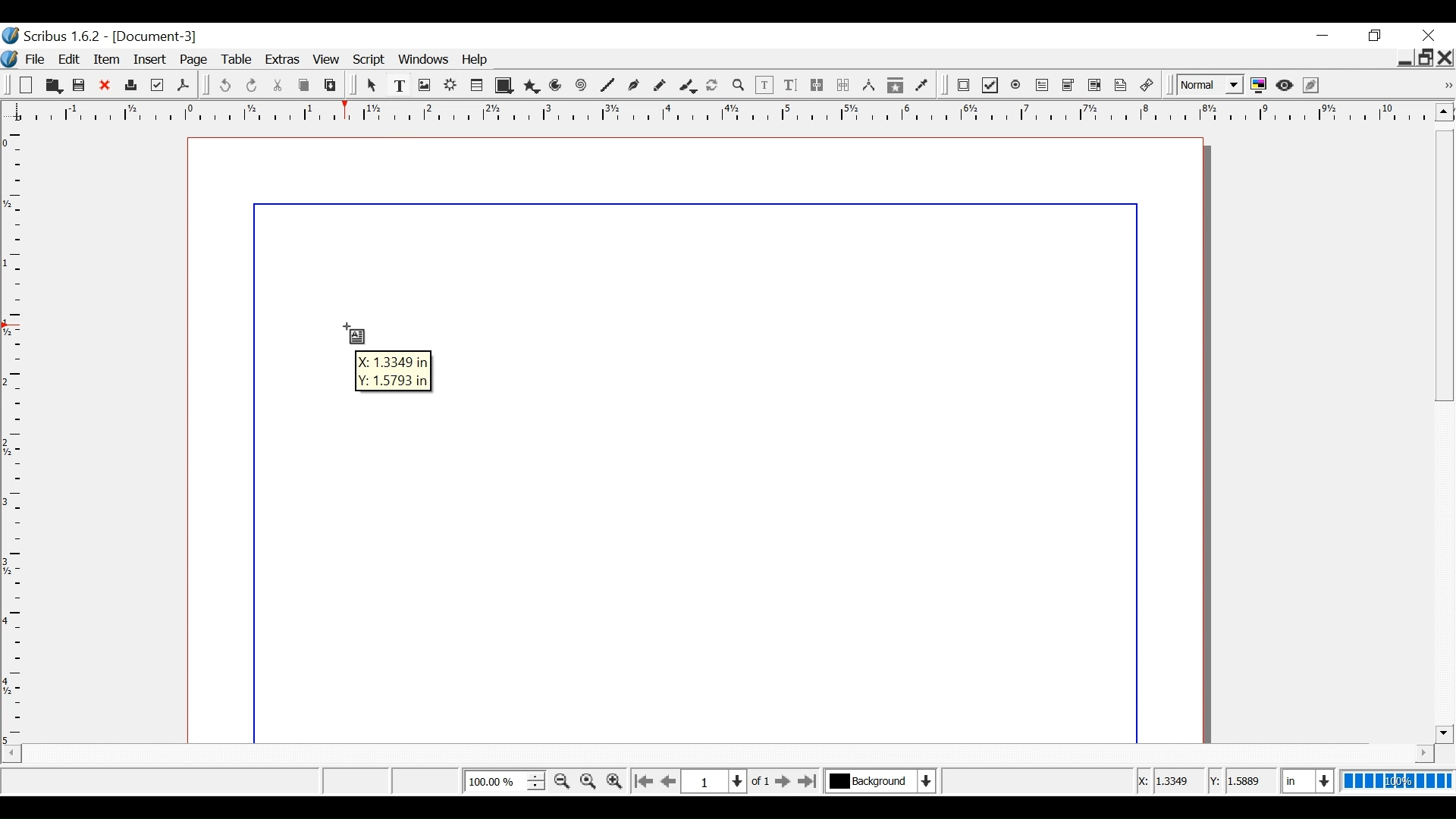 Image resolution: width=1456 pixels, height=819 pixels. What do you see at coordinates (633, 87) in the screenshot?
I see `Bezier curve` at bounding box center [633, 87].